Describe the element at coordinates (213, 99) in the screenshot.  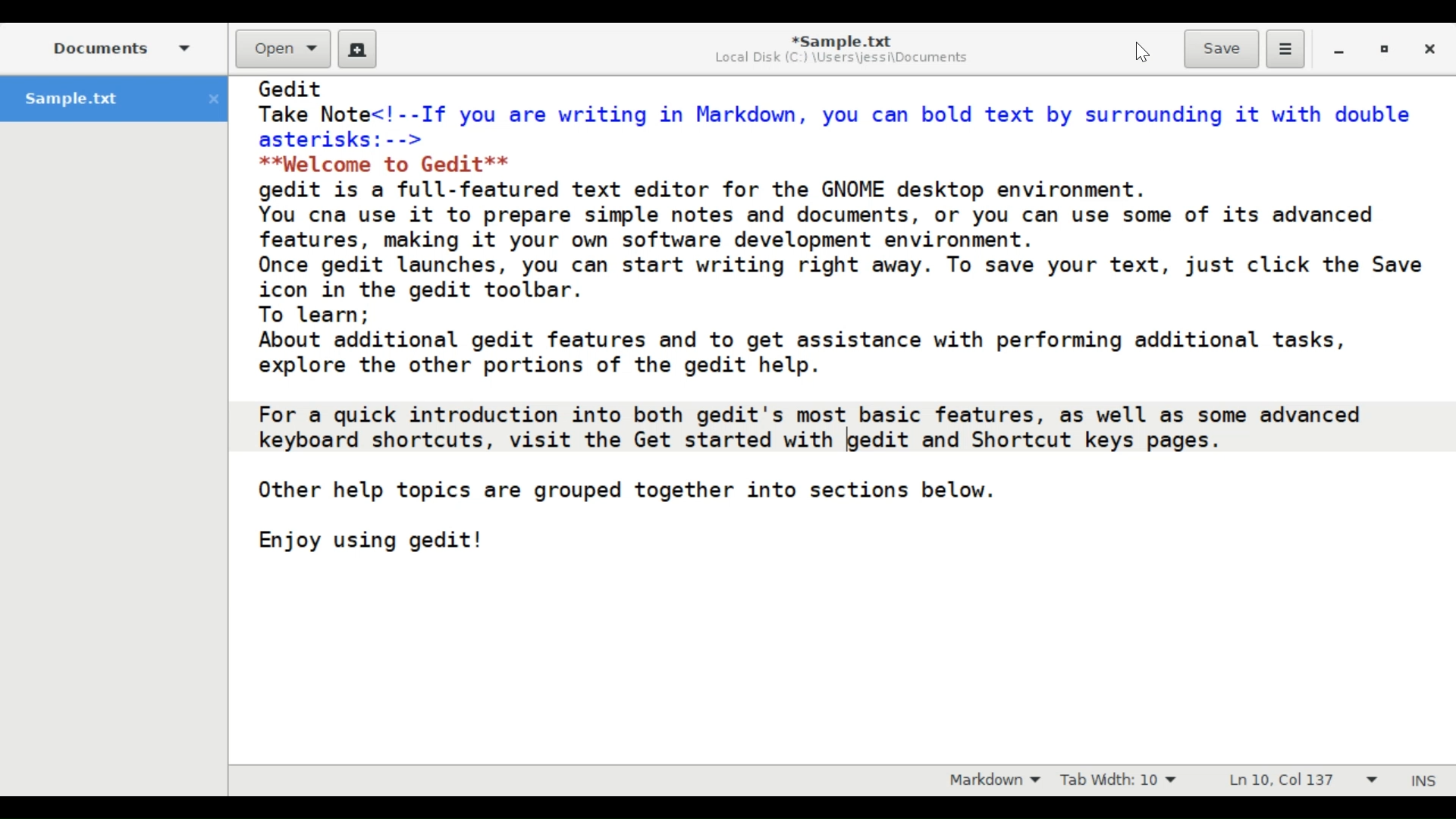
I see `close file` at that location.